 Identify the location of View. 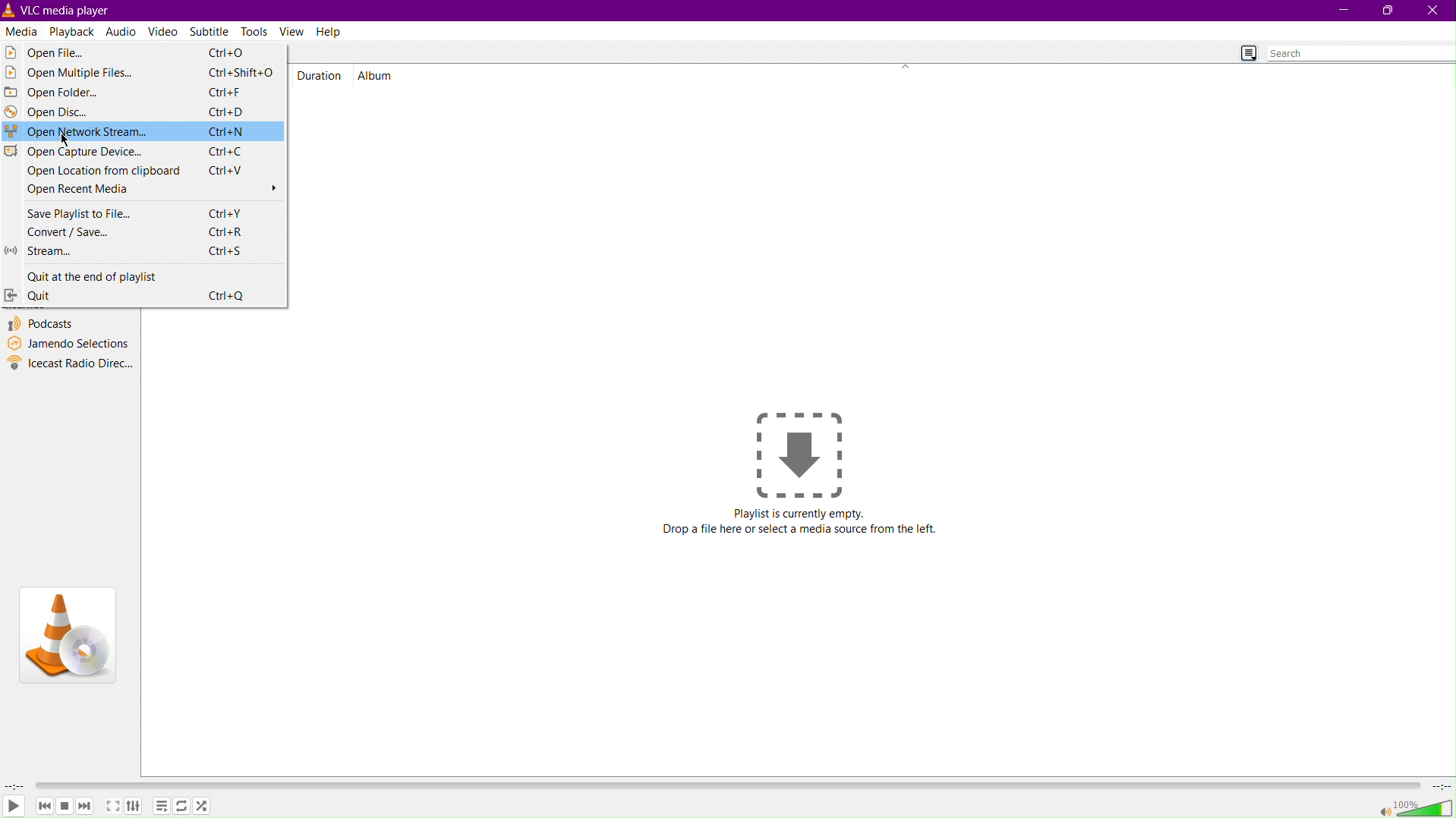
(292, 32).